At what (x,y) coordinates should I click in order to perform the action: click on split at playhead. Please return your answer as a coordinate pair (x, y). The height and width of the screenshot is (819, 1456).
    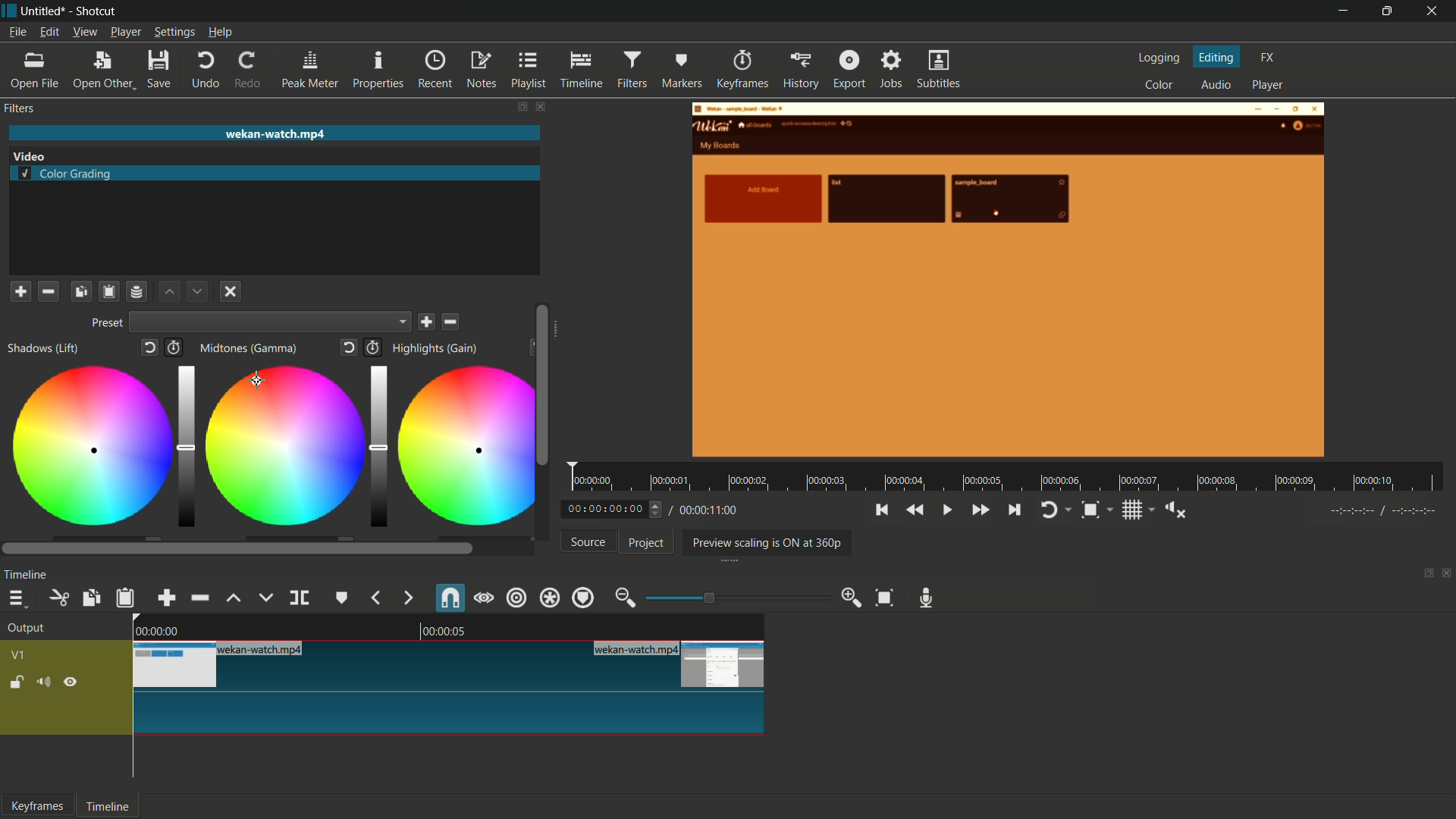
    Looking at the image, I should click on (300, 598).